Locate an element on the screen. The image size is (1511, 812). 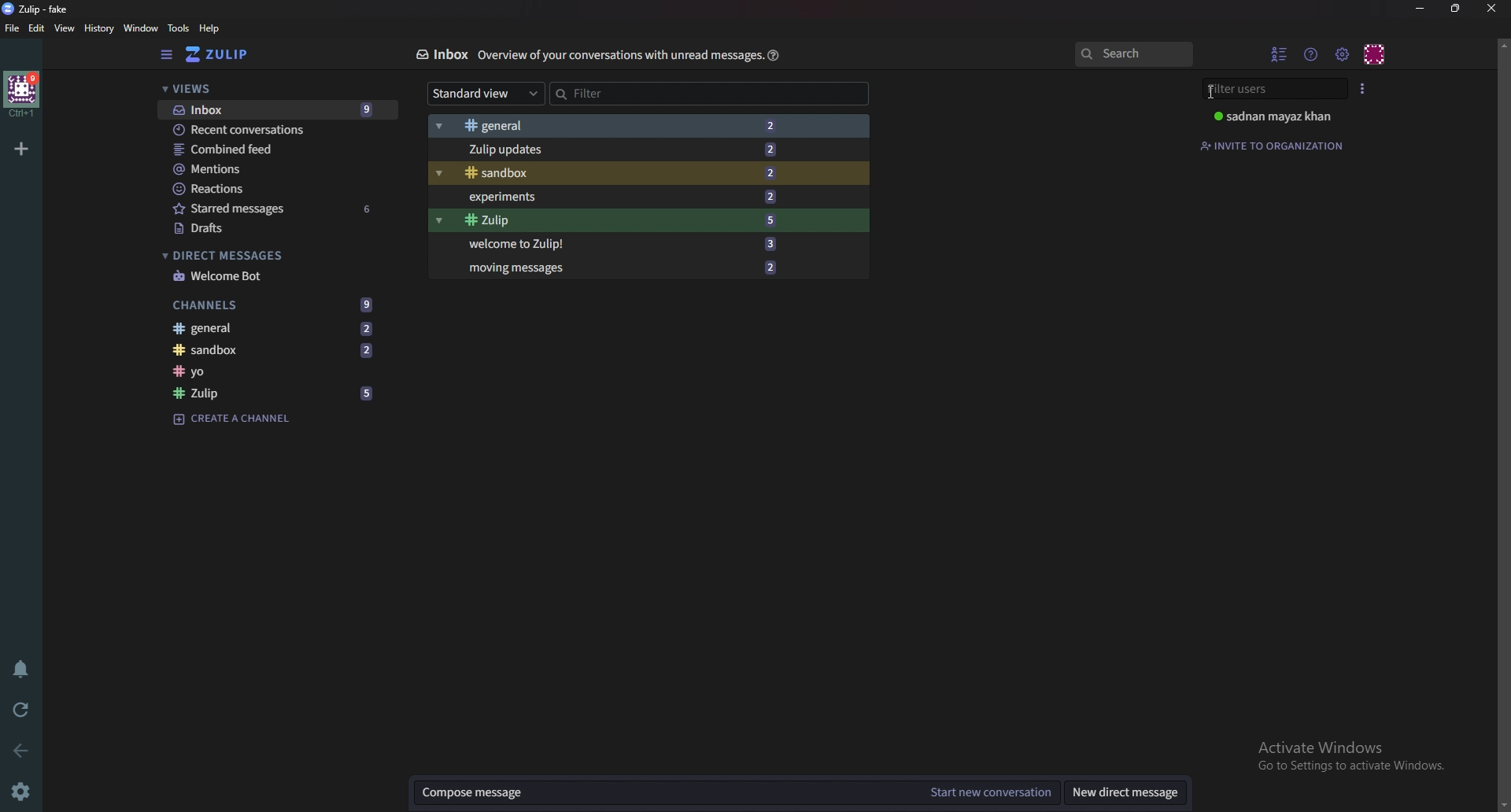
minimize is located at coordinates (1420, 9).